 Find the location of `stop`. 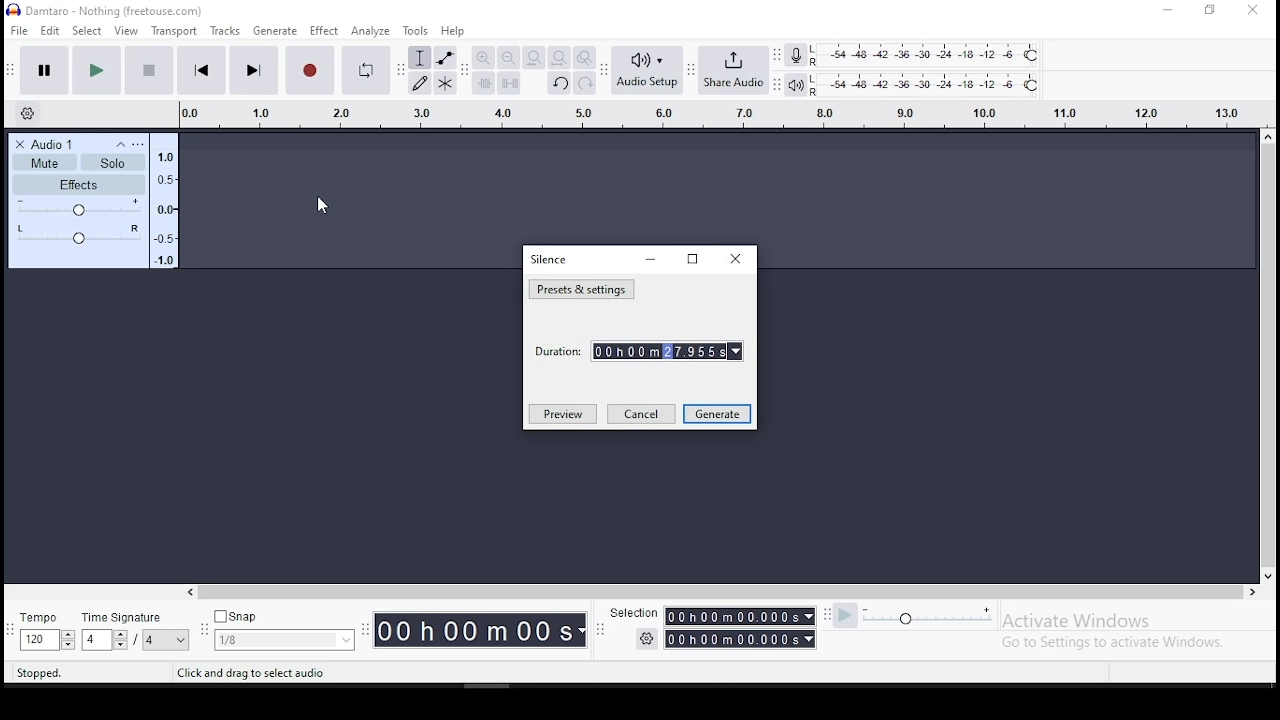

stop is located at coordinates (150, 70).